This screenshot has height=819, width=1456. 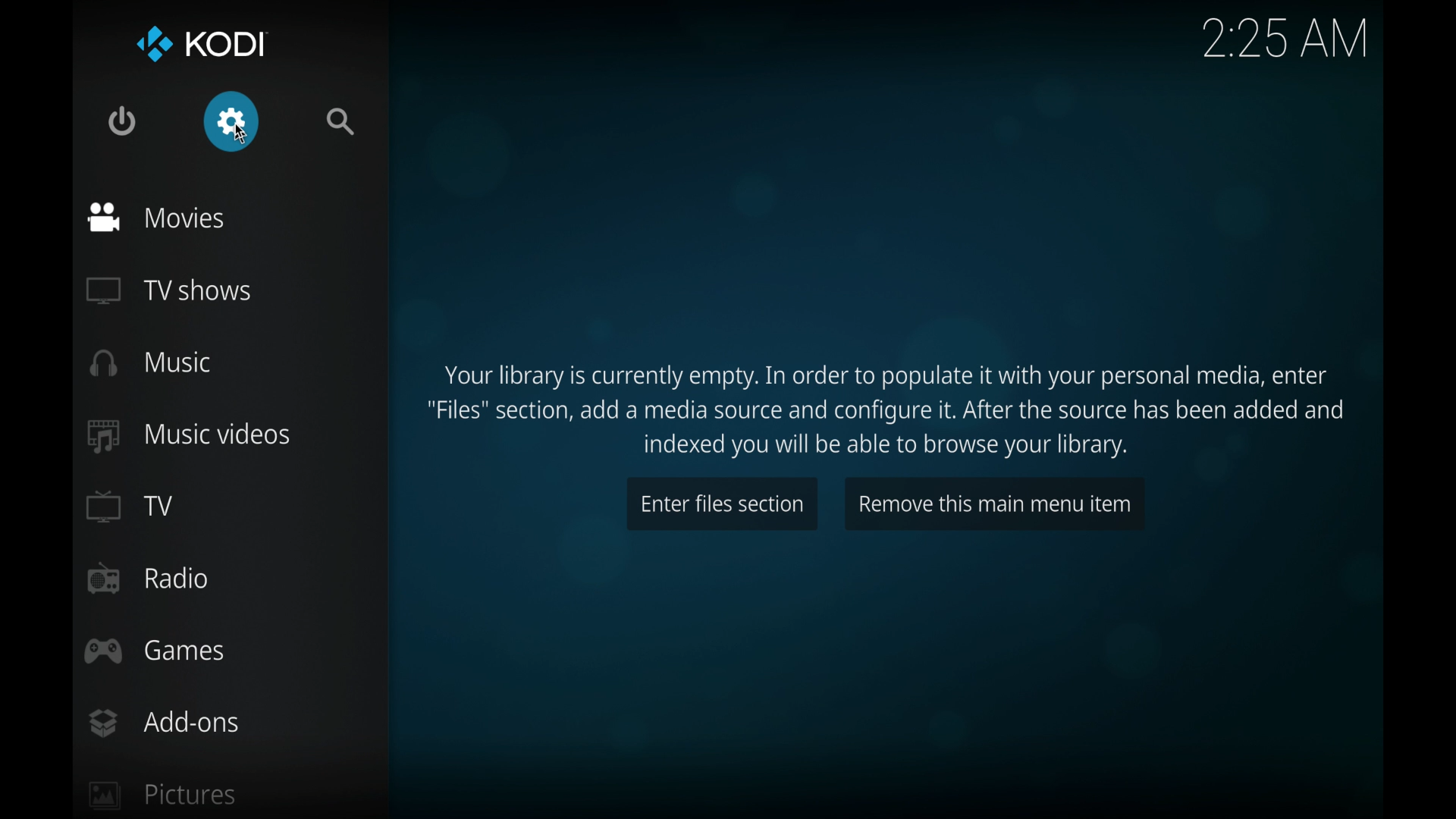 I want to click on settings, so click(x=231, y=122).